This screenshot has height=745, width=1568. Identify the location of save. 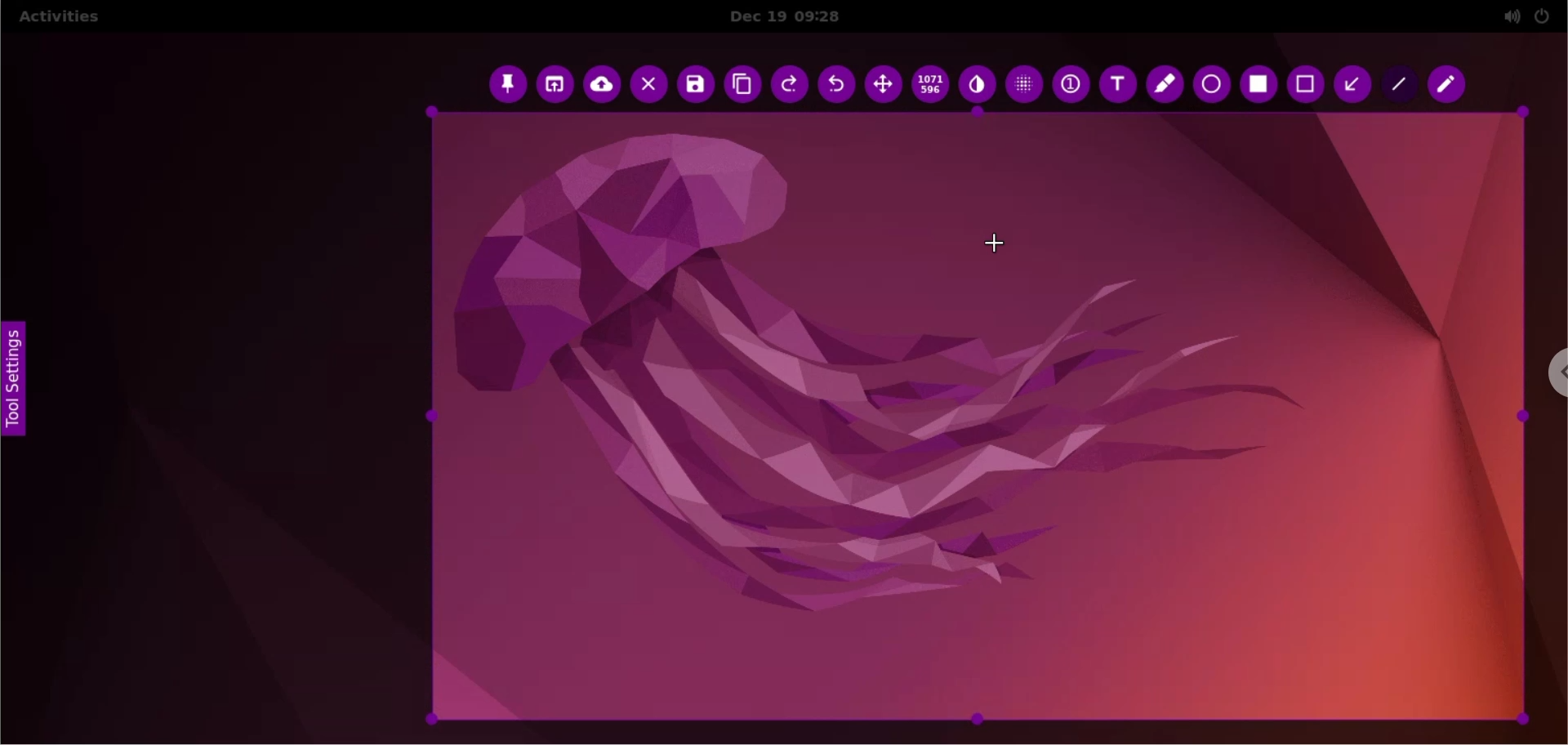
(697, 86).